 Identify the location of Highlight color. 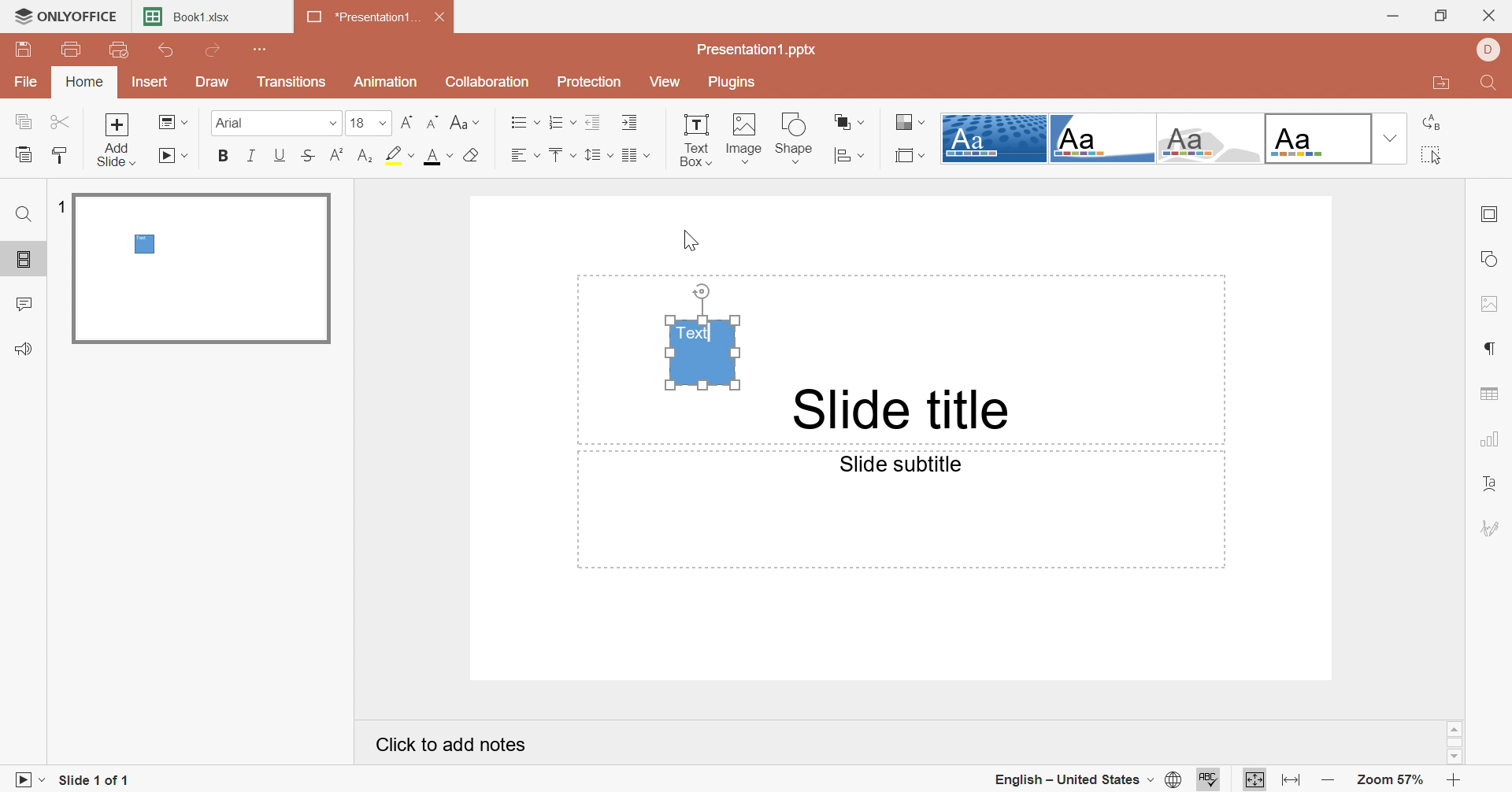
(401, 154).